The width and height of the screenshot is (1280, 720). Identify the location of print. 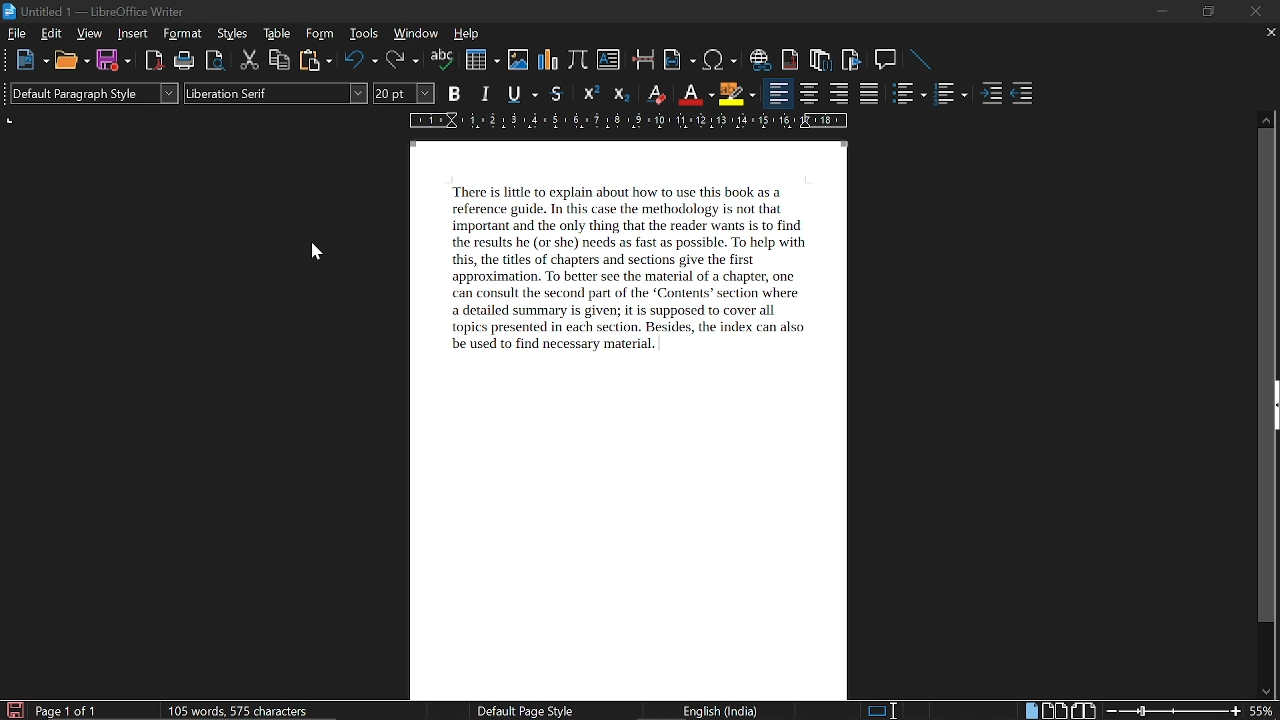
(185, 60).